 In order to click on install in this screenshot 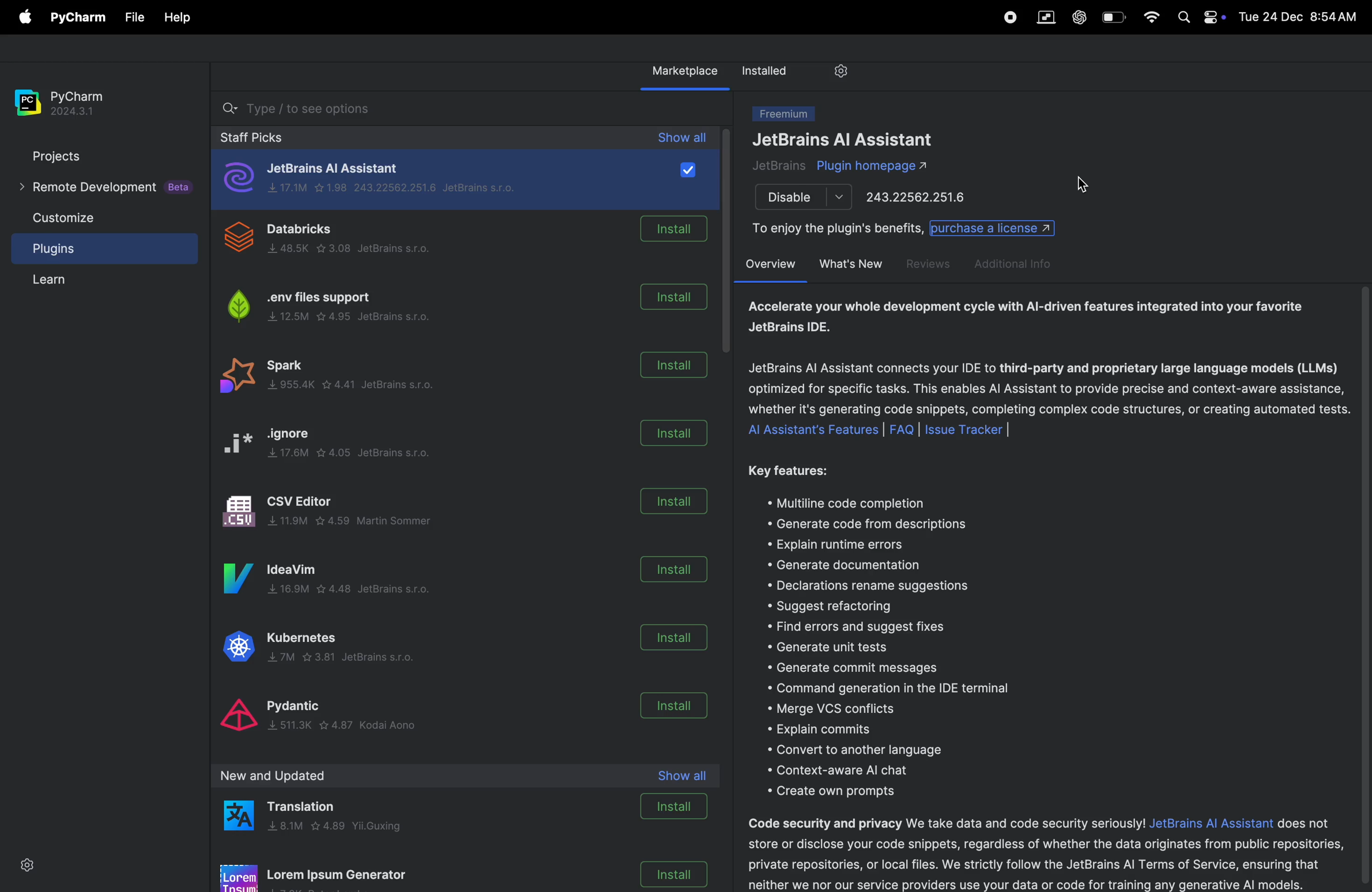, I will do `click(672, 441)`.